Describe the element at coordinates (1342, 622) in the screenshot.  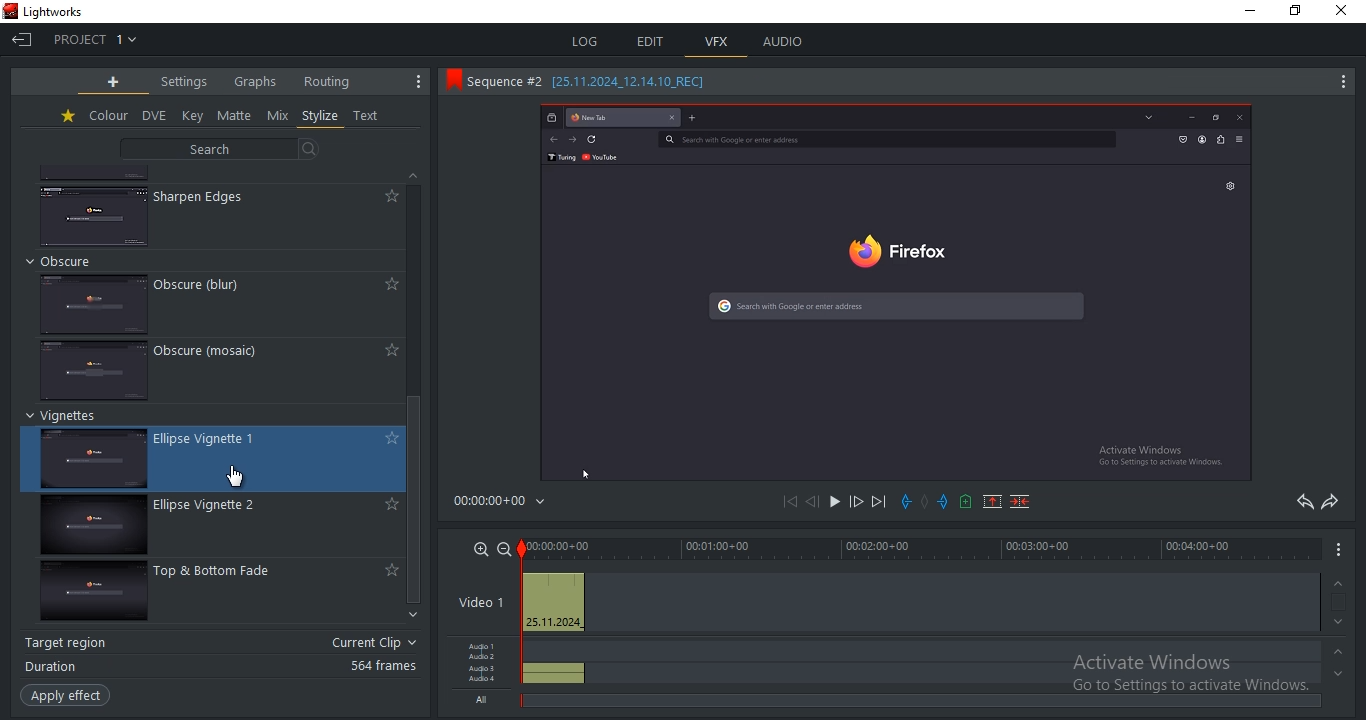
I see `greyed out down arrow` at that location.